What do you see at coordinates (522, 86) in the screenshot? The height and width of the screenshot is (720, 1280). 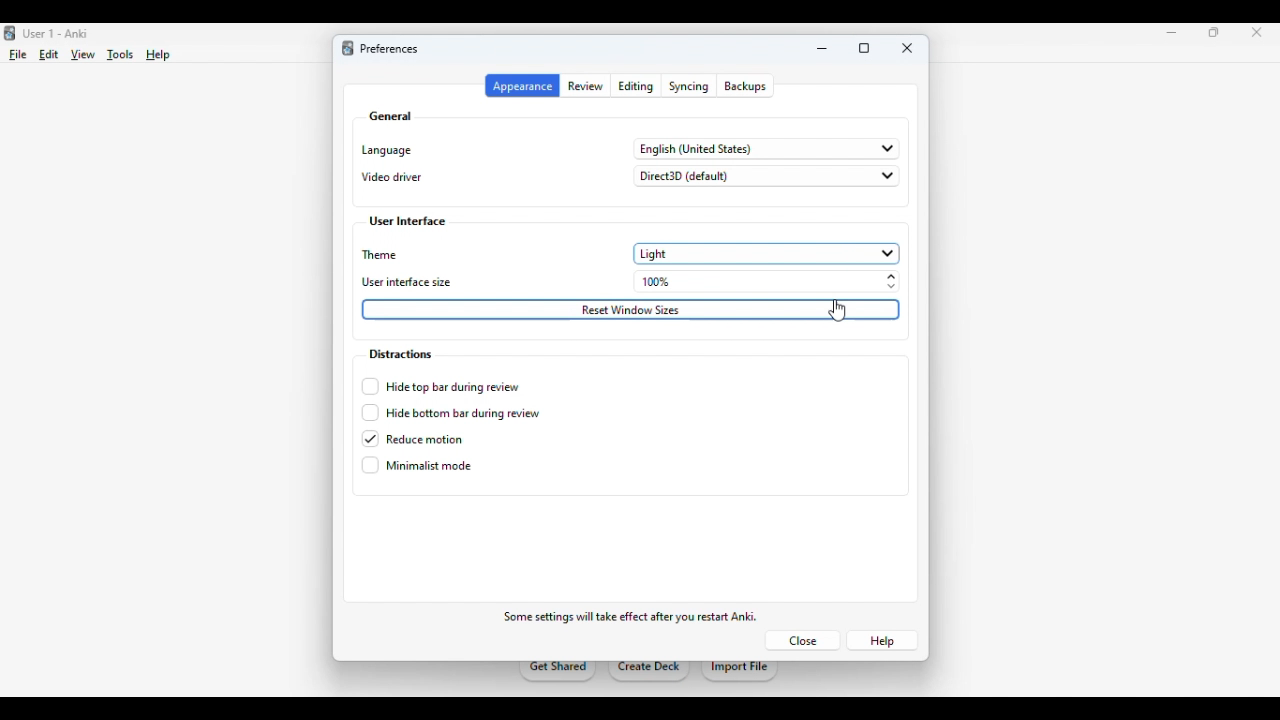 I see `appearance` at bounding box center [522, 86].